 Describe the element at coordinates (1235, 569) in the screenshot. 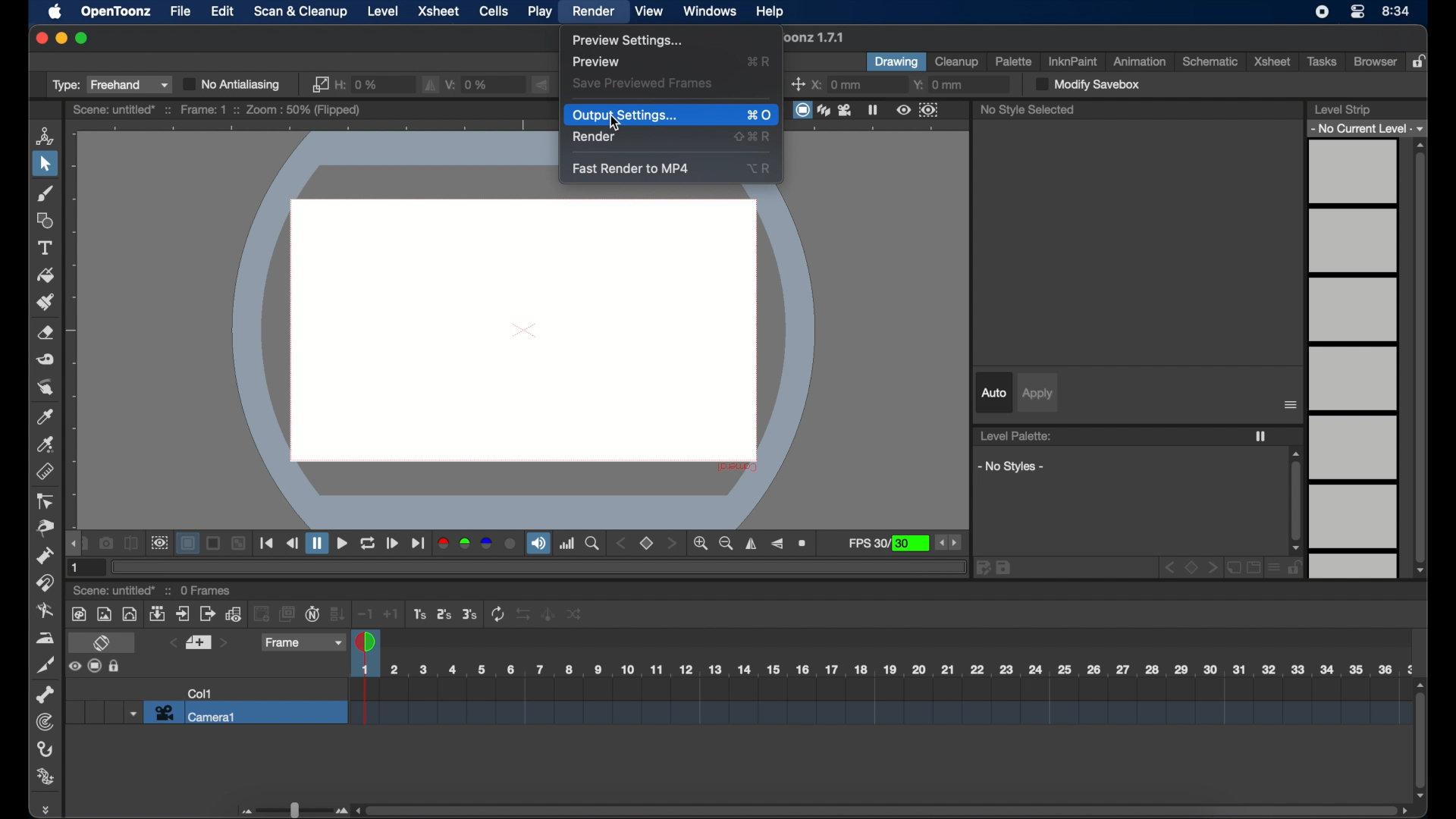

I see `` at that location.